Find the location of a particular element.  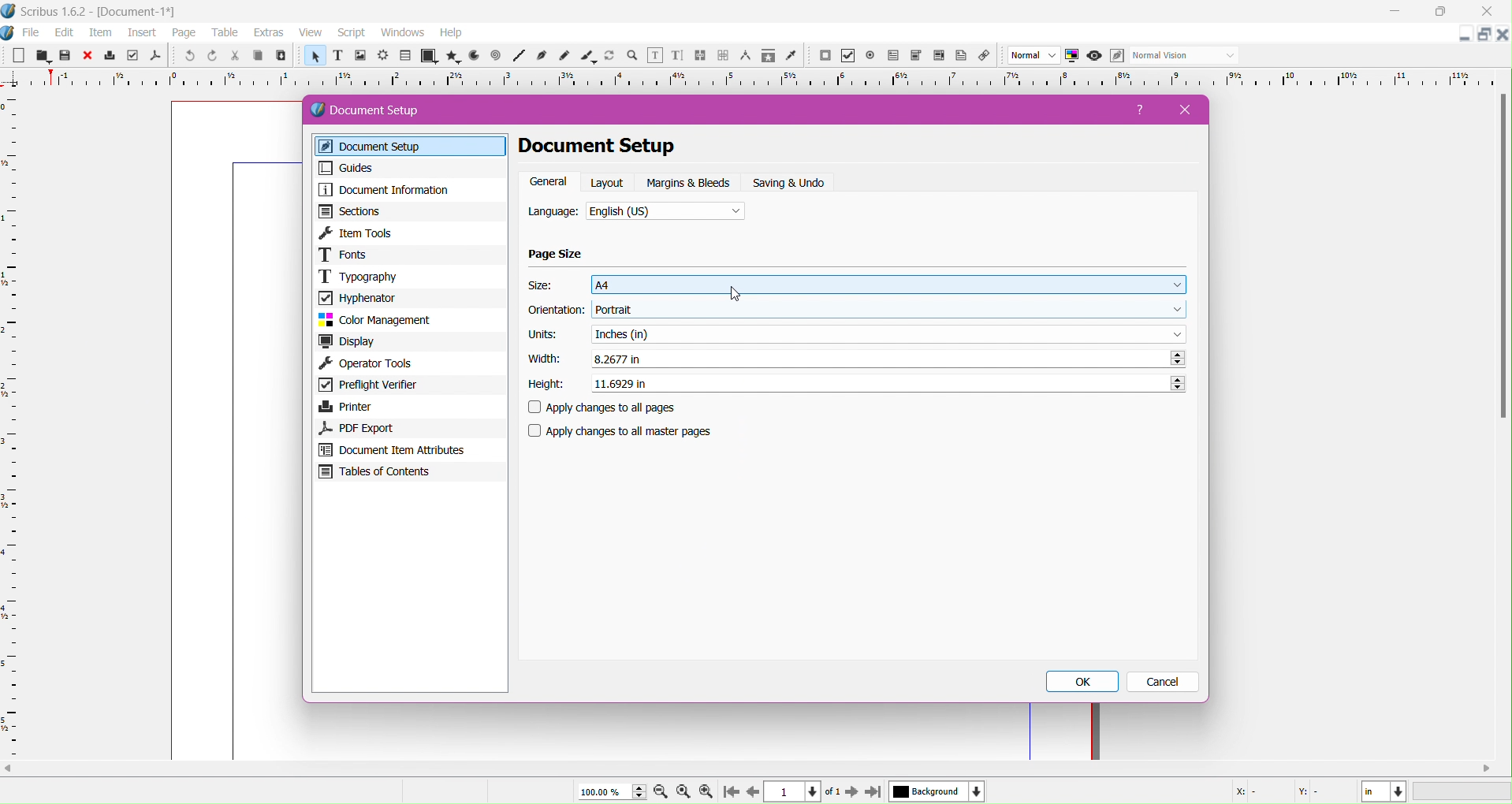

Document Setup is located at coordinates (380, 110).